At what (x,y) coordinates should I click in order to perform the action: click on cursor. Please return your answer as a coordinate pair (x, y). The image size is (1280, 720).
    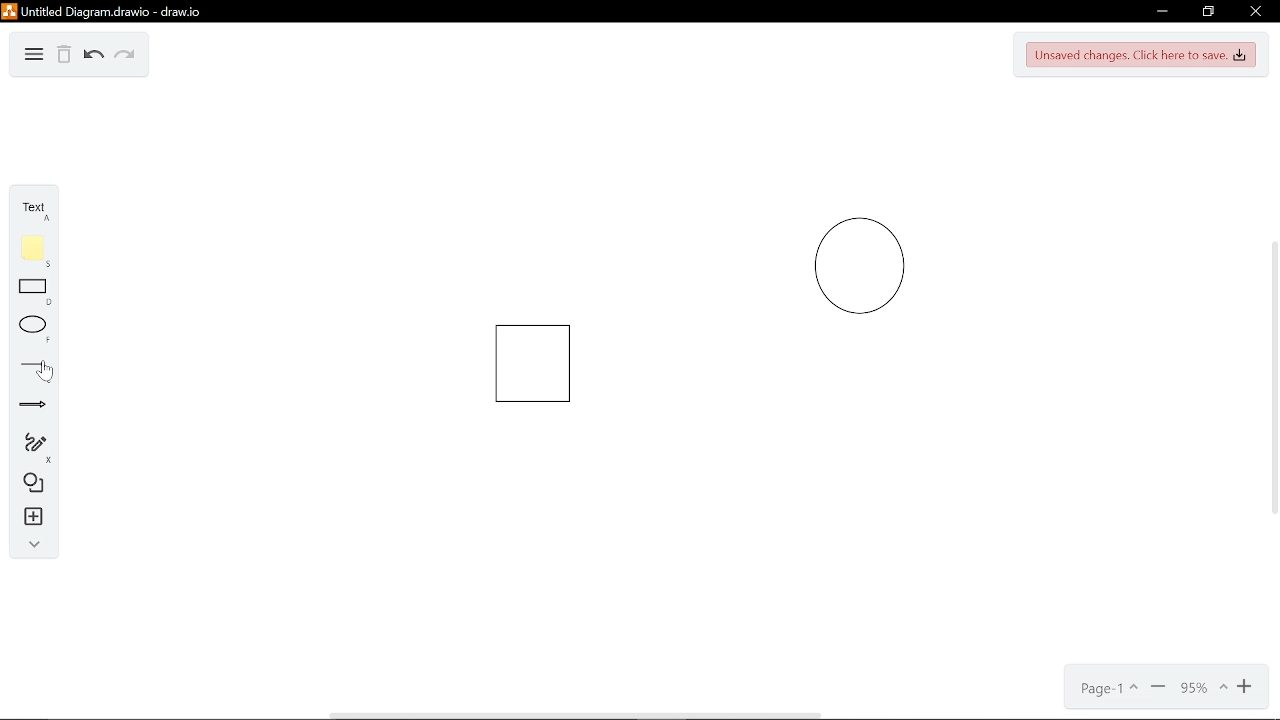
    Looking at the image, I should click on (48, 373).